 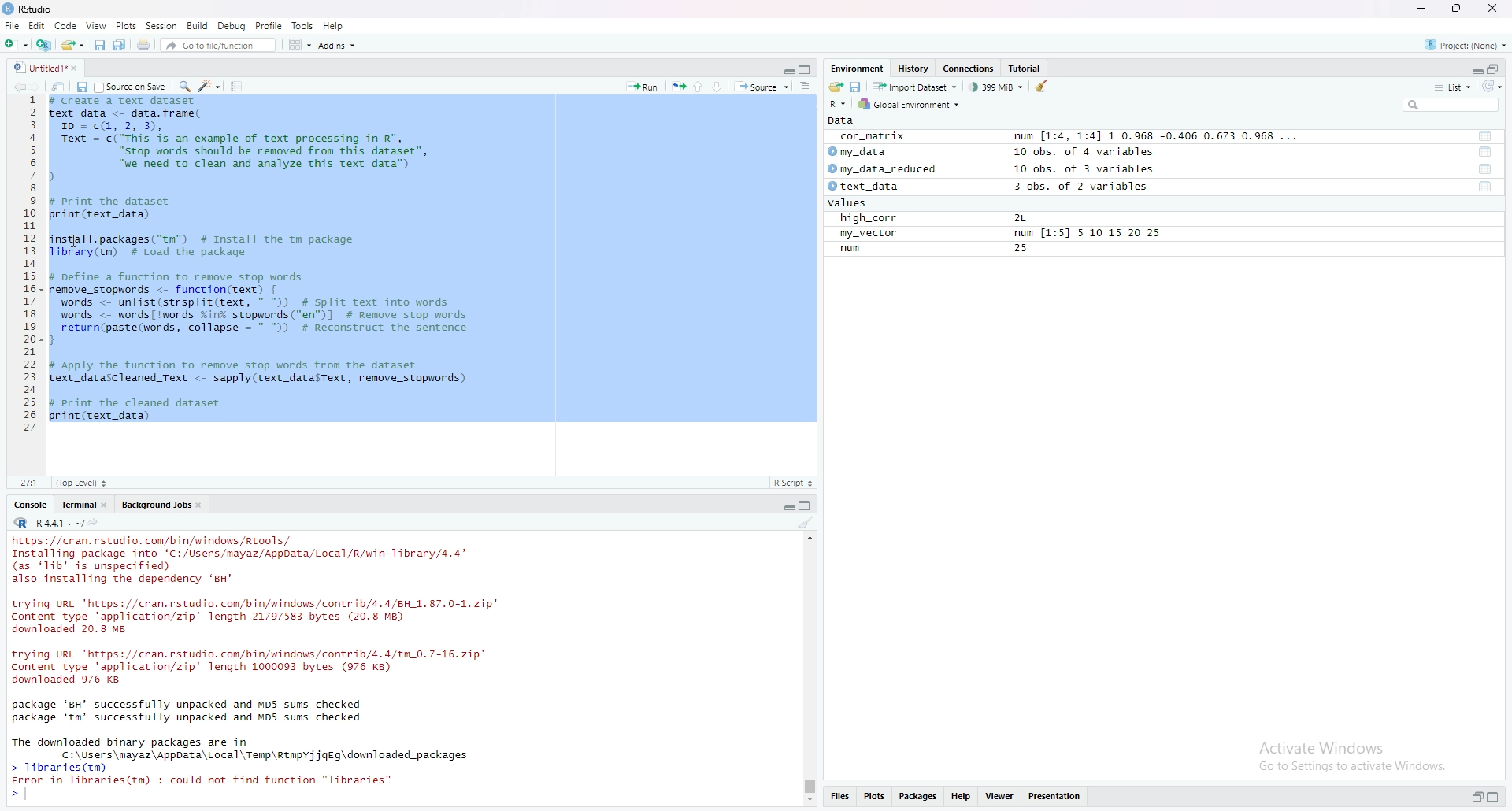 What do you see at coordinates (183, 85) in the screenshot?
I see `find/replace` at bounding box center [183, 85].